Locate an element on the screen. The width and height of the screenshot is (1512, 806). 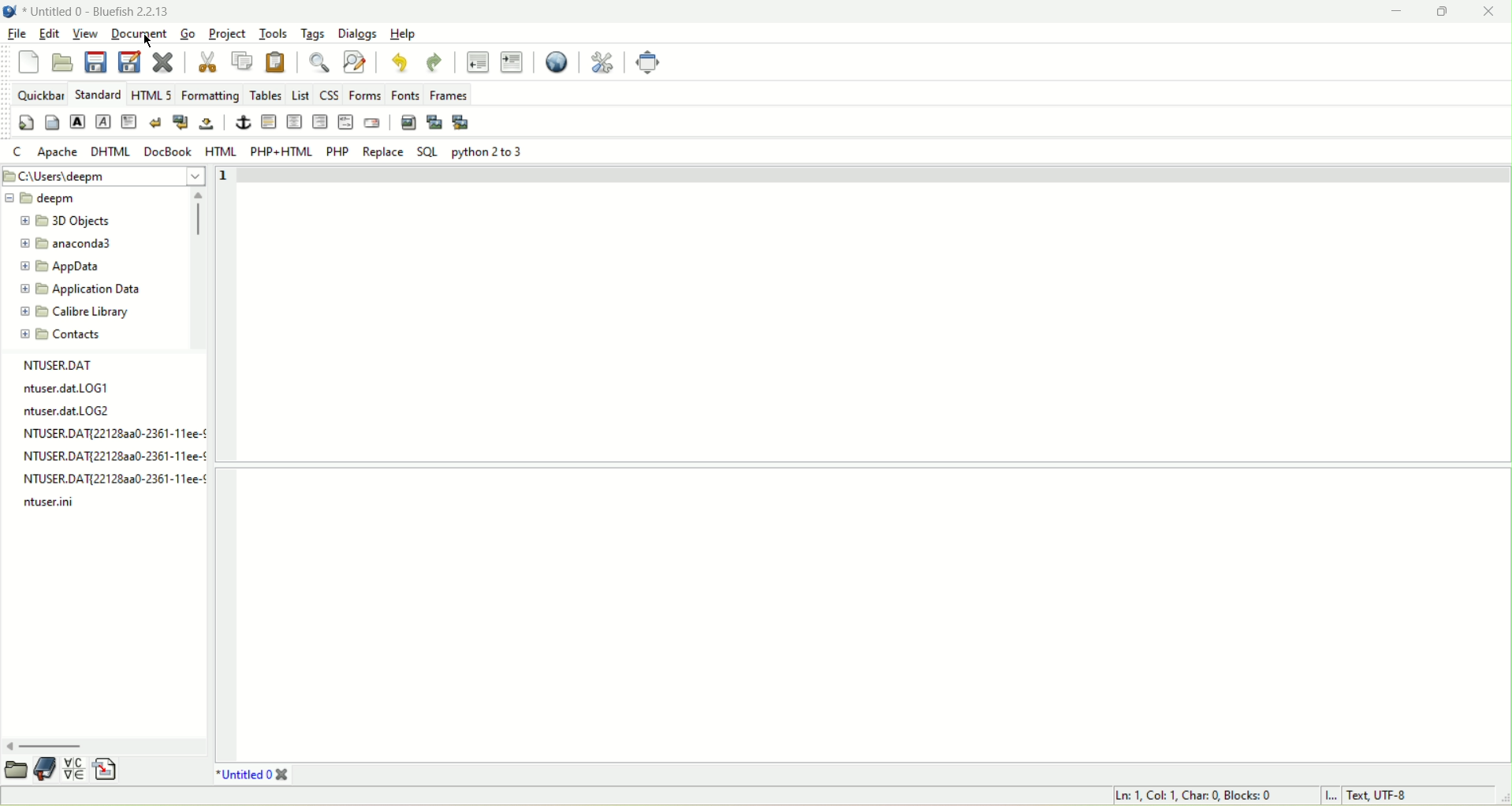
close is located at coordinates (1488, 11).